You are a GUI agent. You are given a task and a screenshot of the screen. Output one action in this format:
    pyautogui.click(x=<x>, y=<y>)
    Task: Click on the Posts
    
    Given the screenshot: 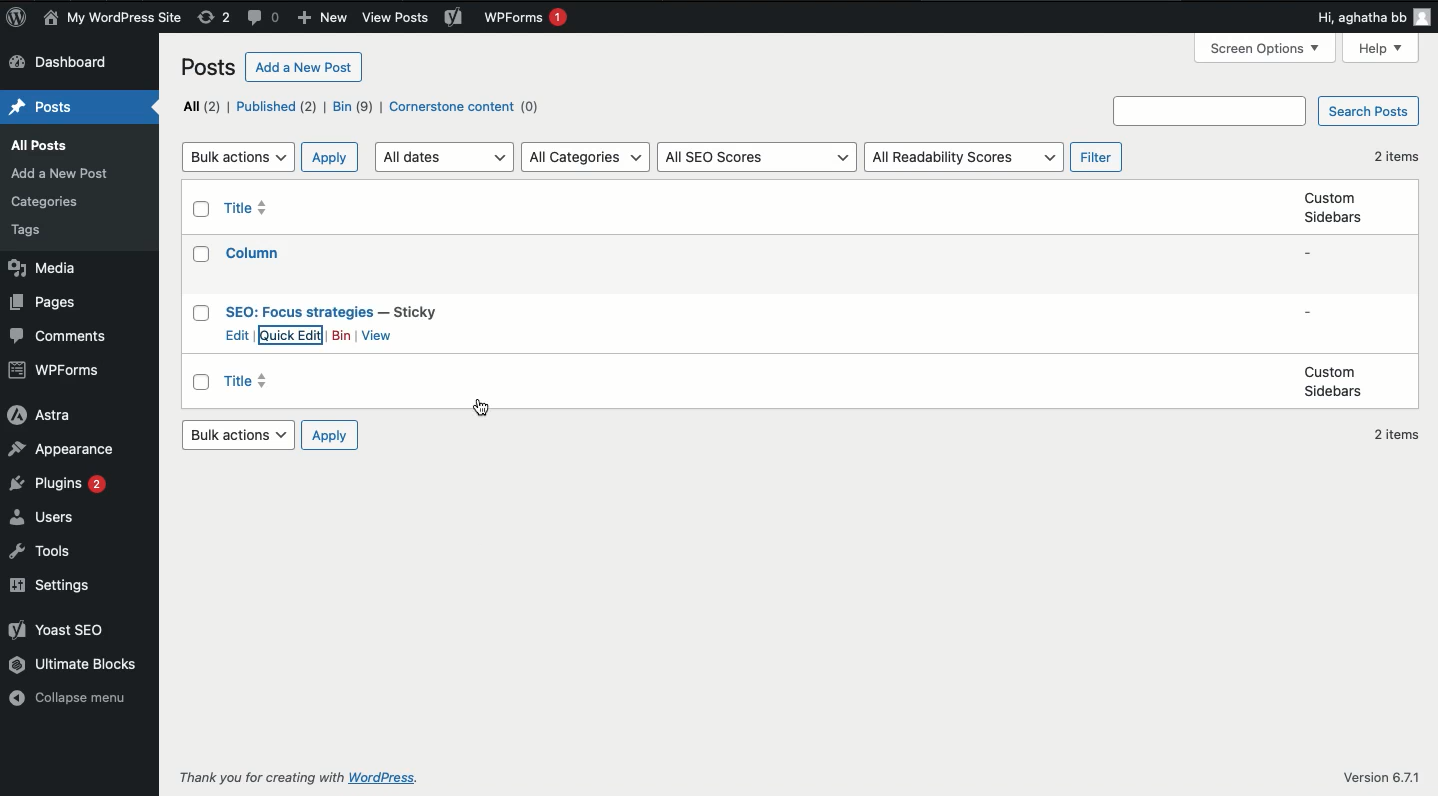 What is the action you would take?
    pyautogui.click(x=48, y=202)
    